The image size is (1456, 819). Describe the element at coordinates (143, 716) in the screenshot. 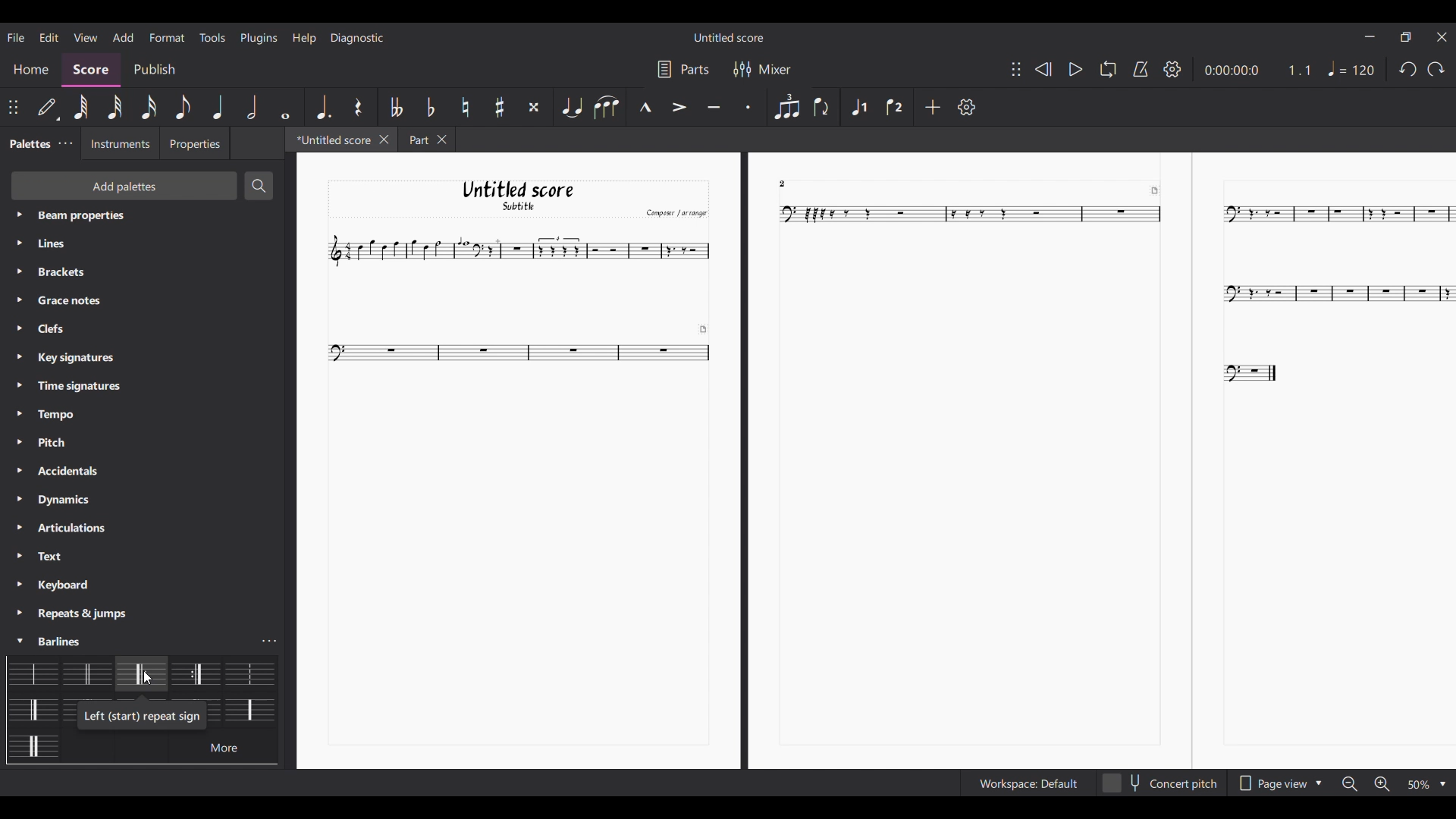

I see `info` at that location.